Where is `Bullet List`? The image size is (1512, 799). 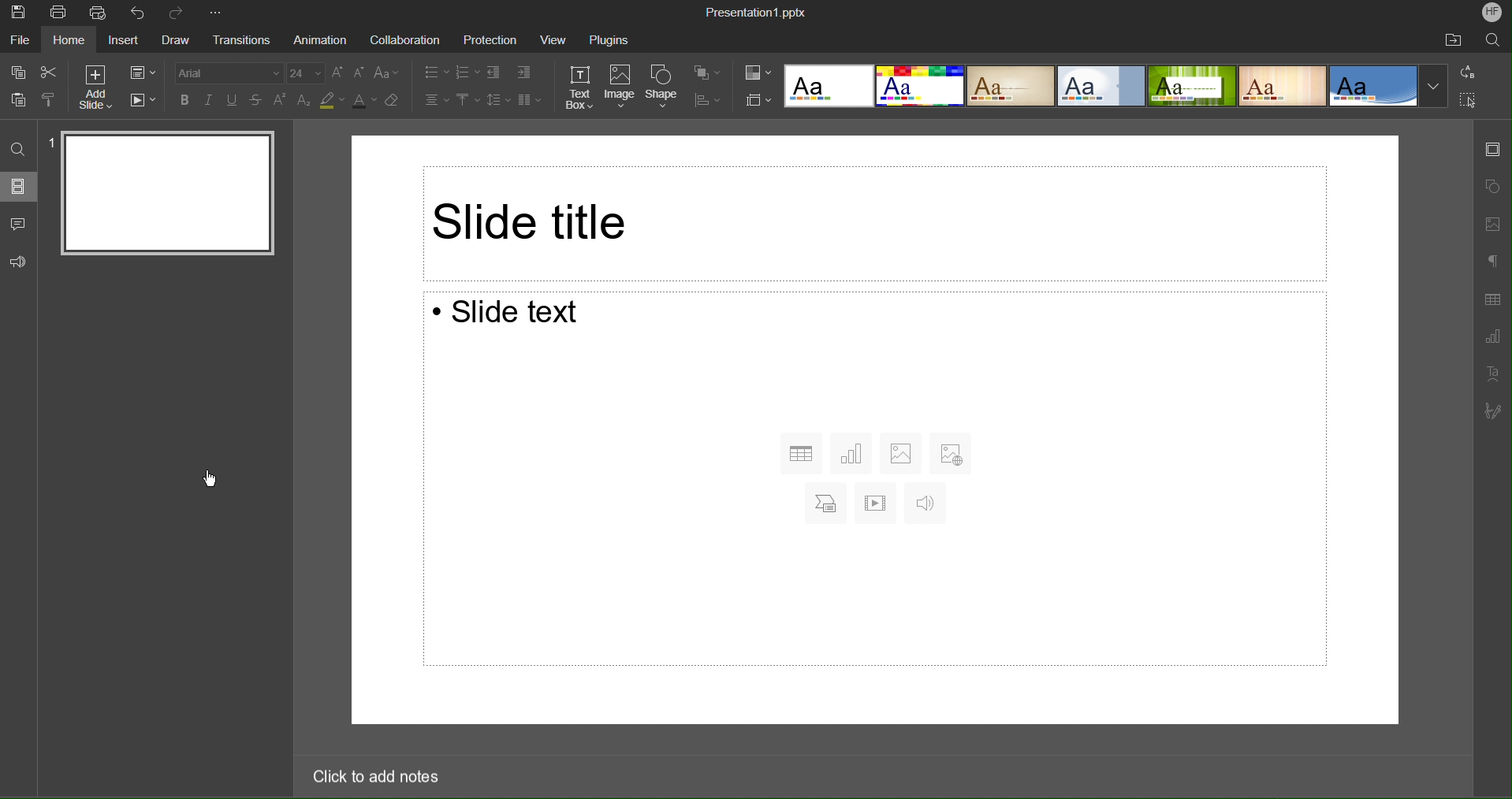 Bullet List is located at coordinates (437, 71).